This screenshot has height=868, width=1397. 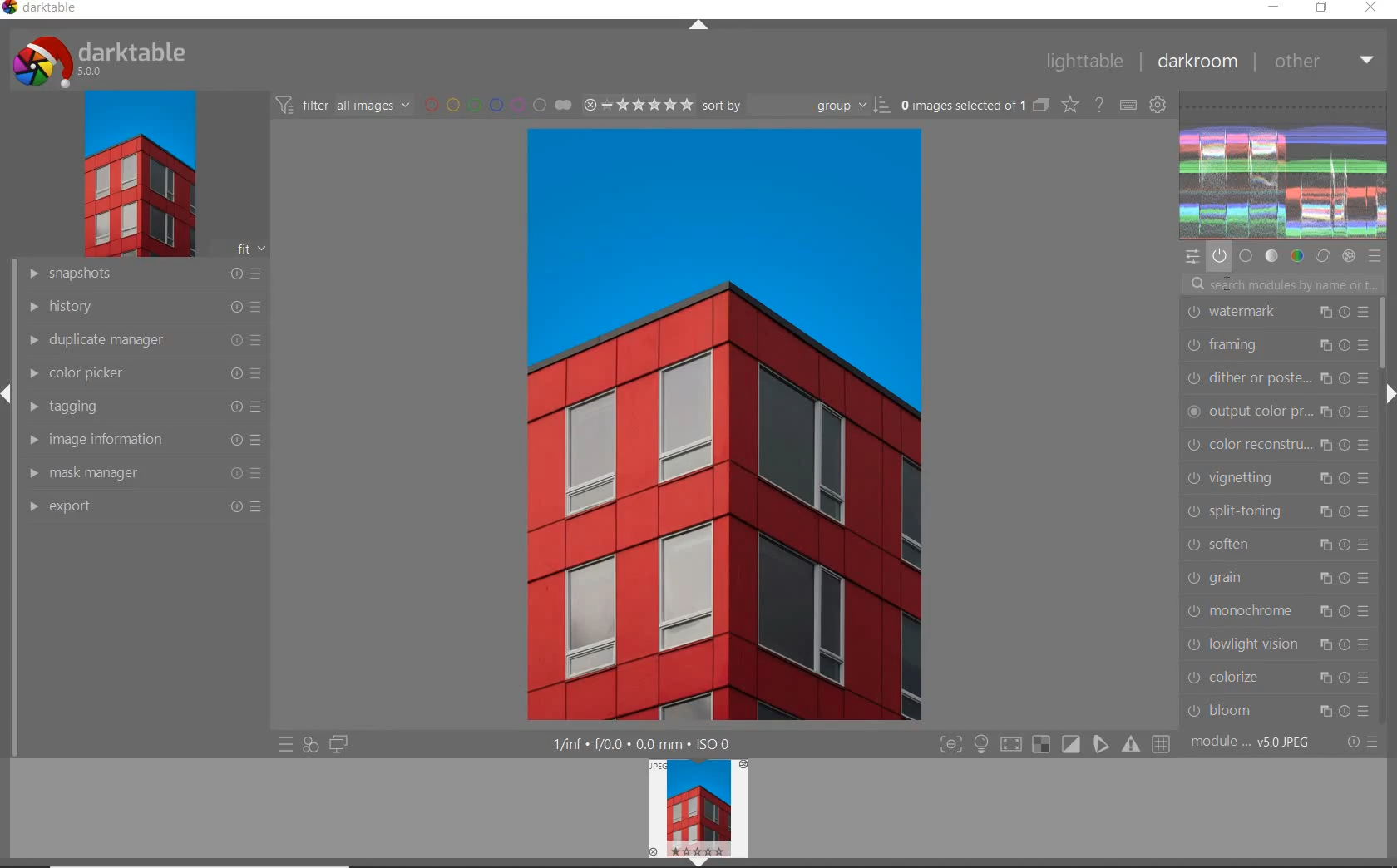 I want to click on image, so click(x=136, y=174).